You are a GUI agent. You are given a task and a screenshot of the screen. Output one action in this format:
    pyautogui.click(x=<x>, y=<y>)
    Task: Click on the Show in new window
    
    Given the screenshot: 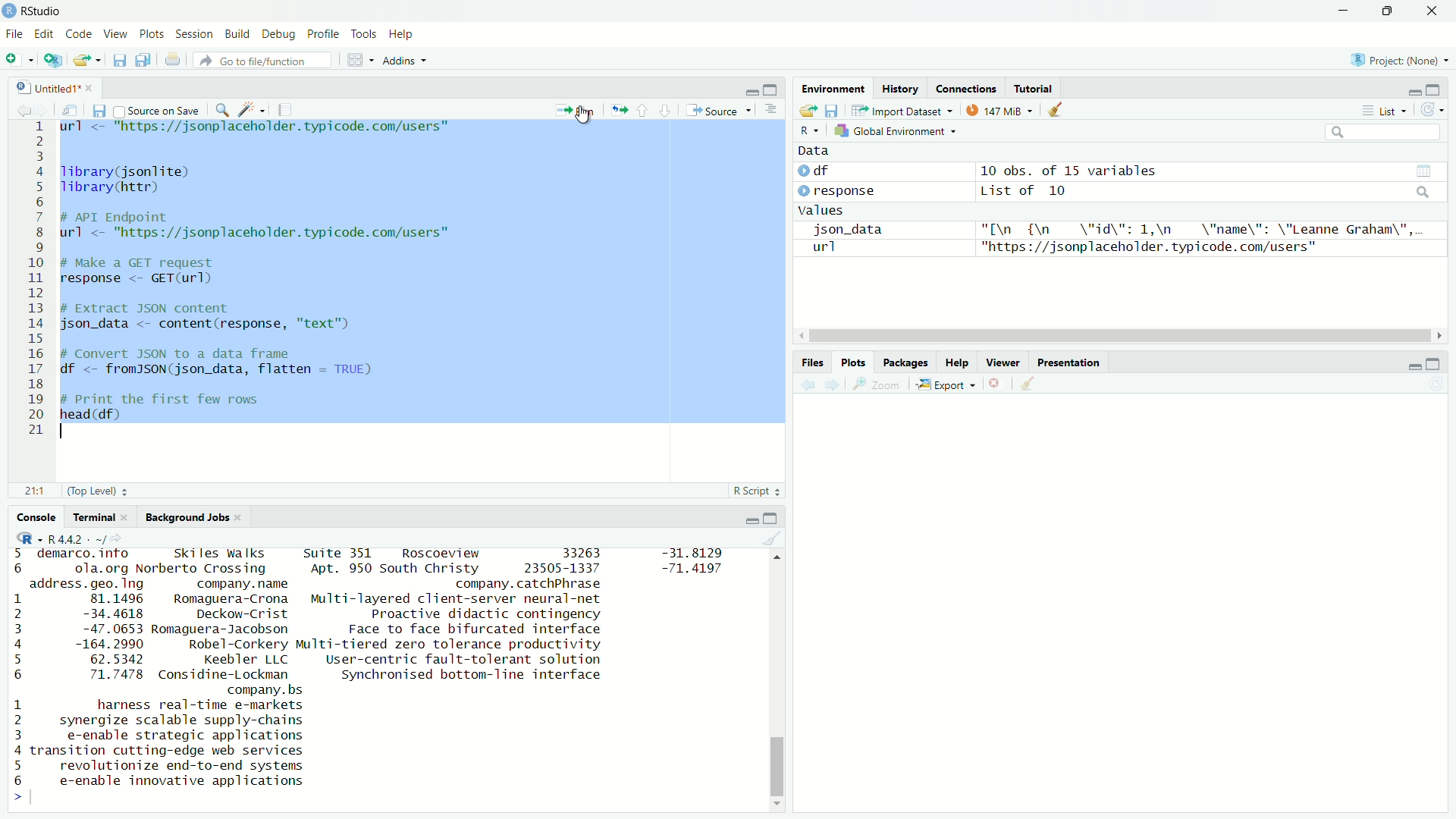 What is the action you would take?
    pyautogui.click(x=68, y=111)
    